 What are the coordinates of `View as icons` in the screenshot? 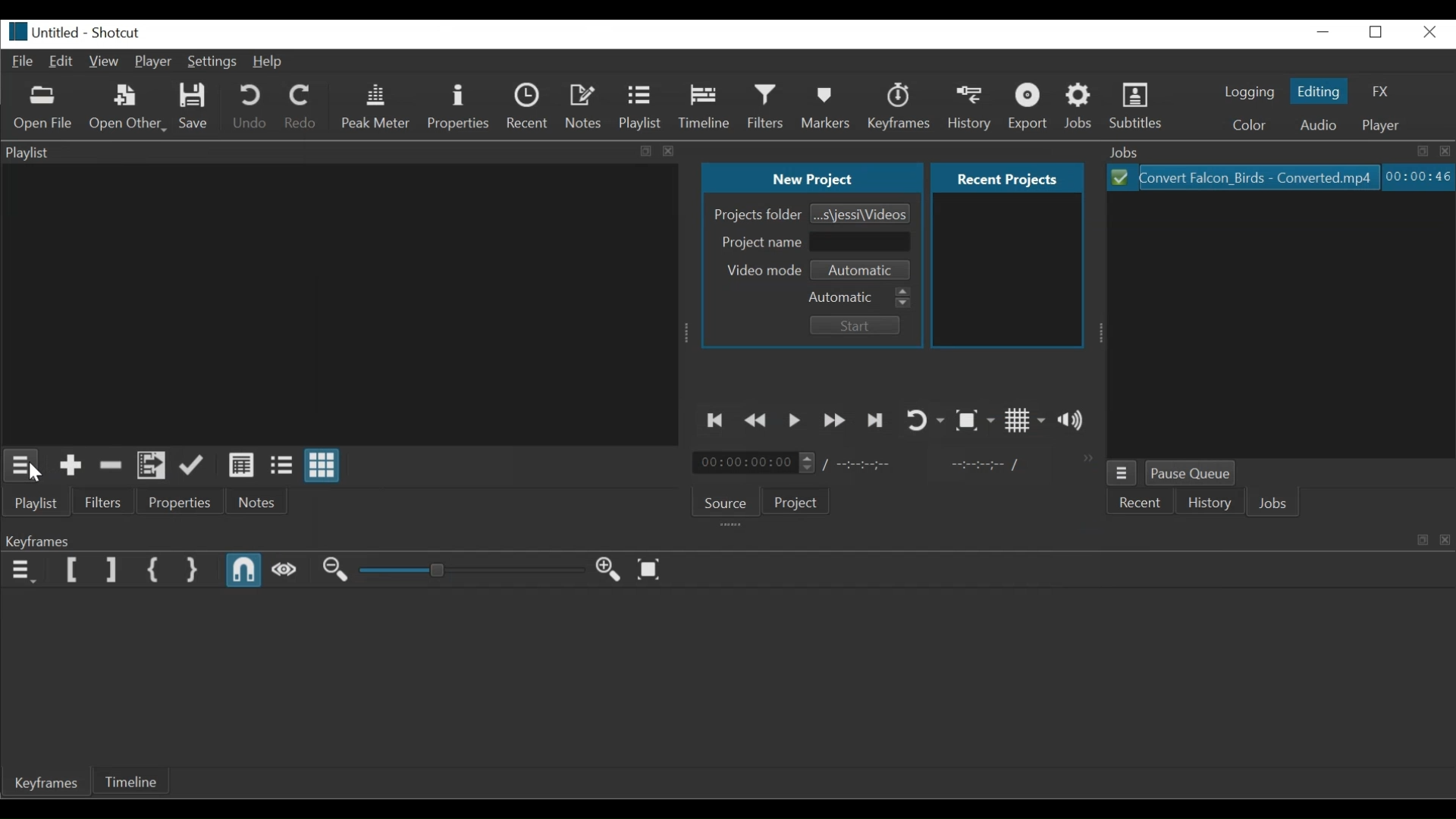 It's located at (322, 465).